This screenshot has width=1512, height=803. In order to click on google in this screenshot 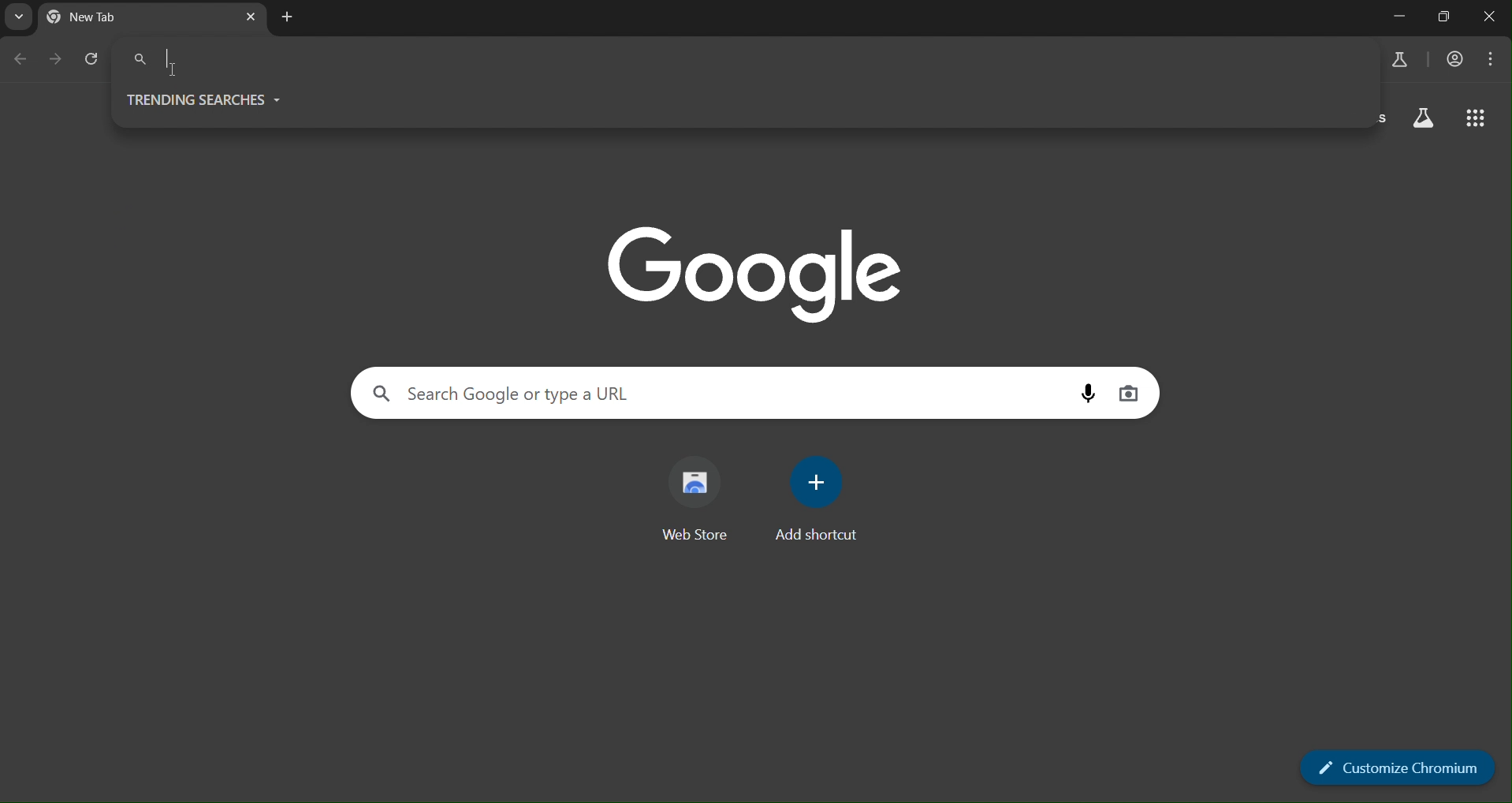, I will do `click(752, 269)`.